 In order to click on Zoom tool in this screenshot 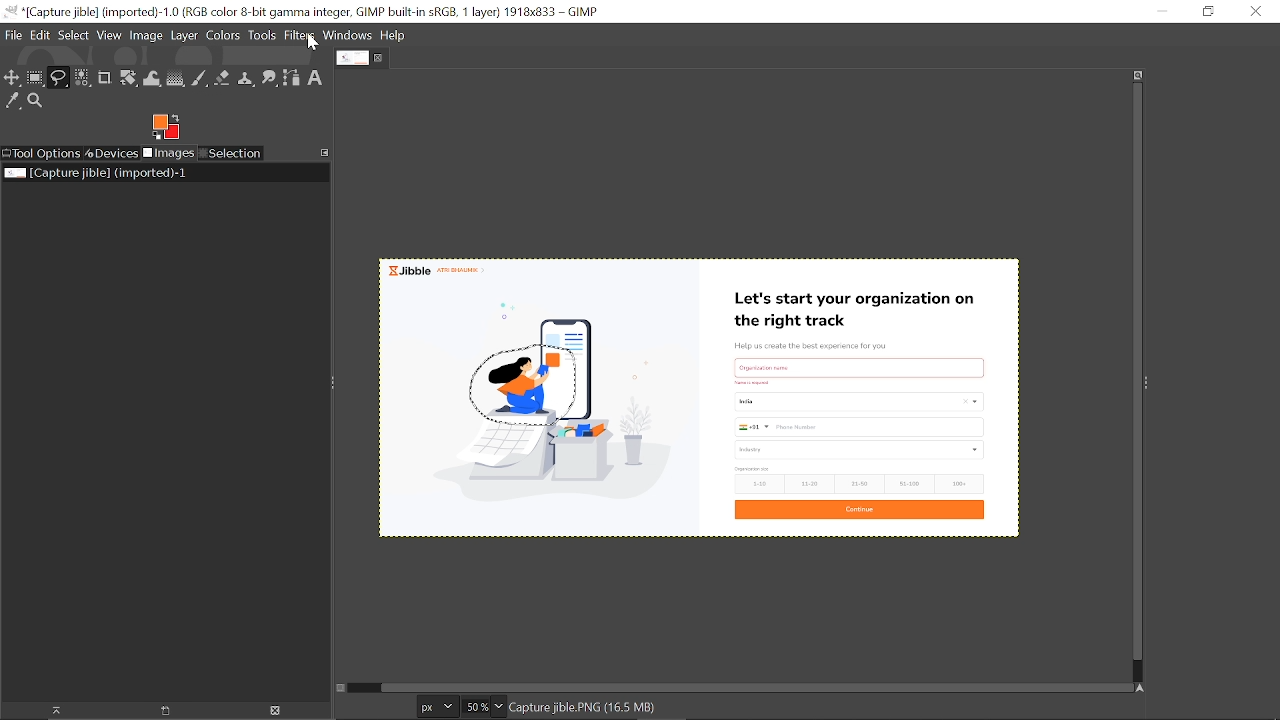, I will do `click(38, 103)`.